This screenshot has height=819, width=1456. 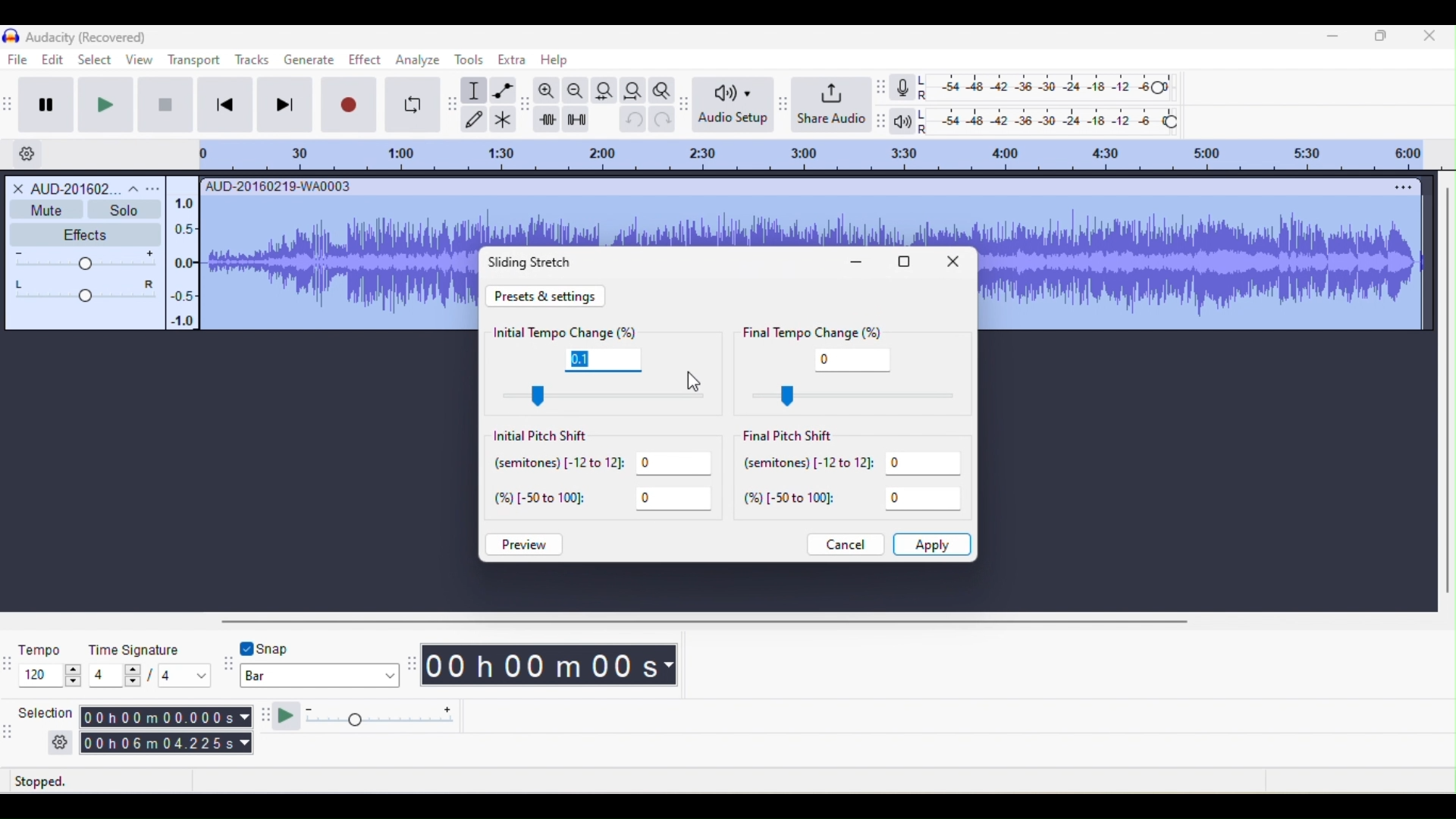 I want to click on final tempo change, so click(x=824, y=332).